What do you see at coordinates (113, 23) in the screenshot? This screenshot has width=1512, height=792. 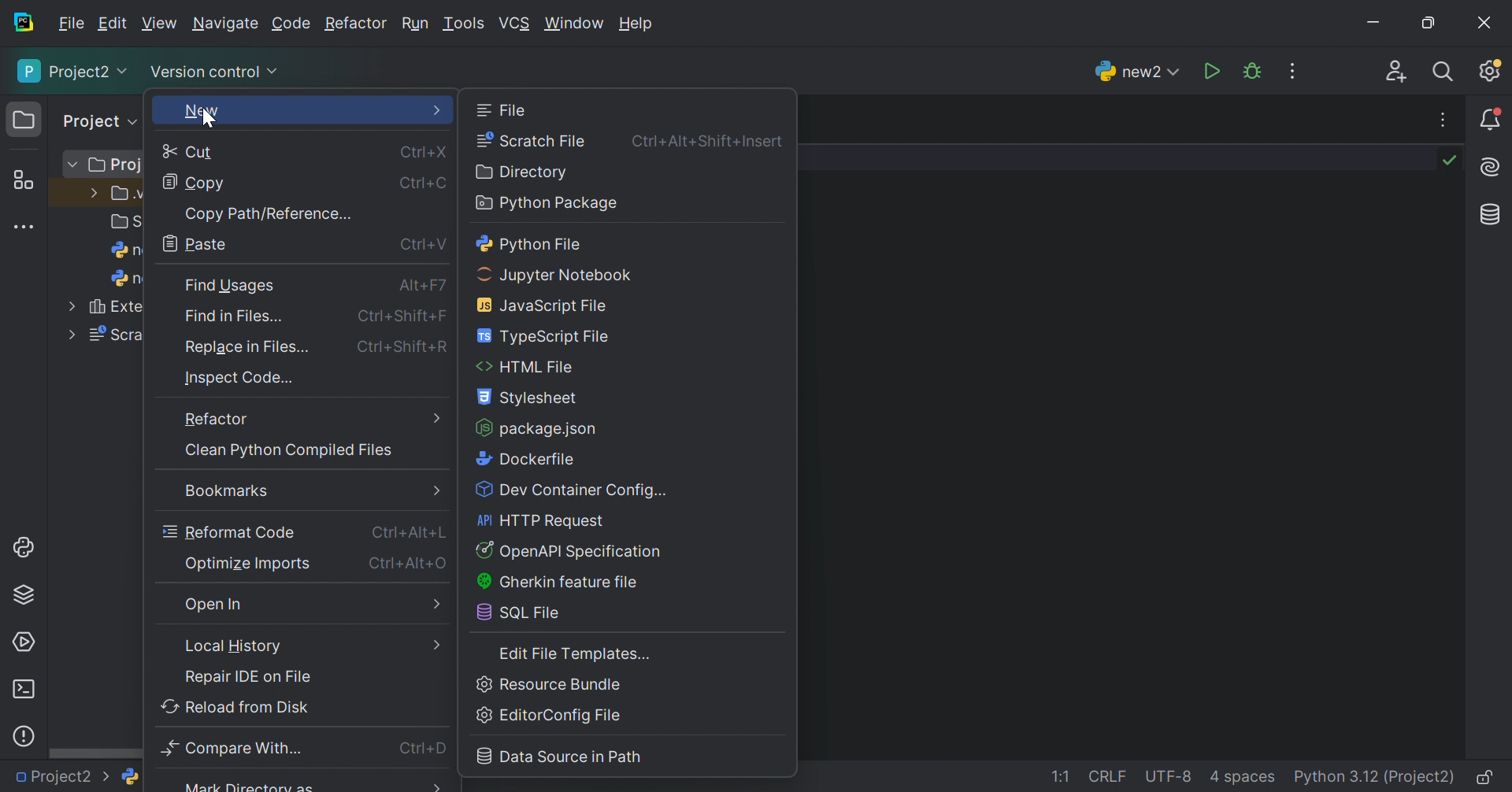 I see `Edit` at bounding box center [113, 23].